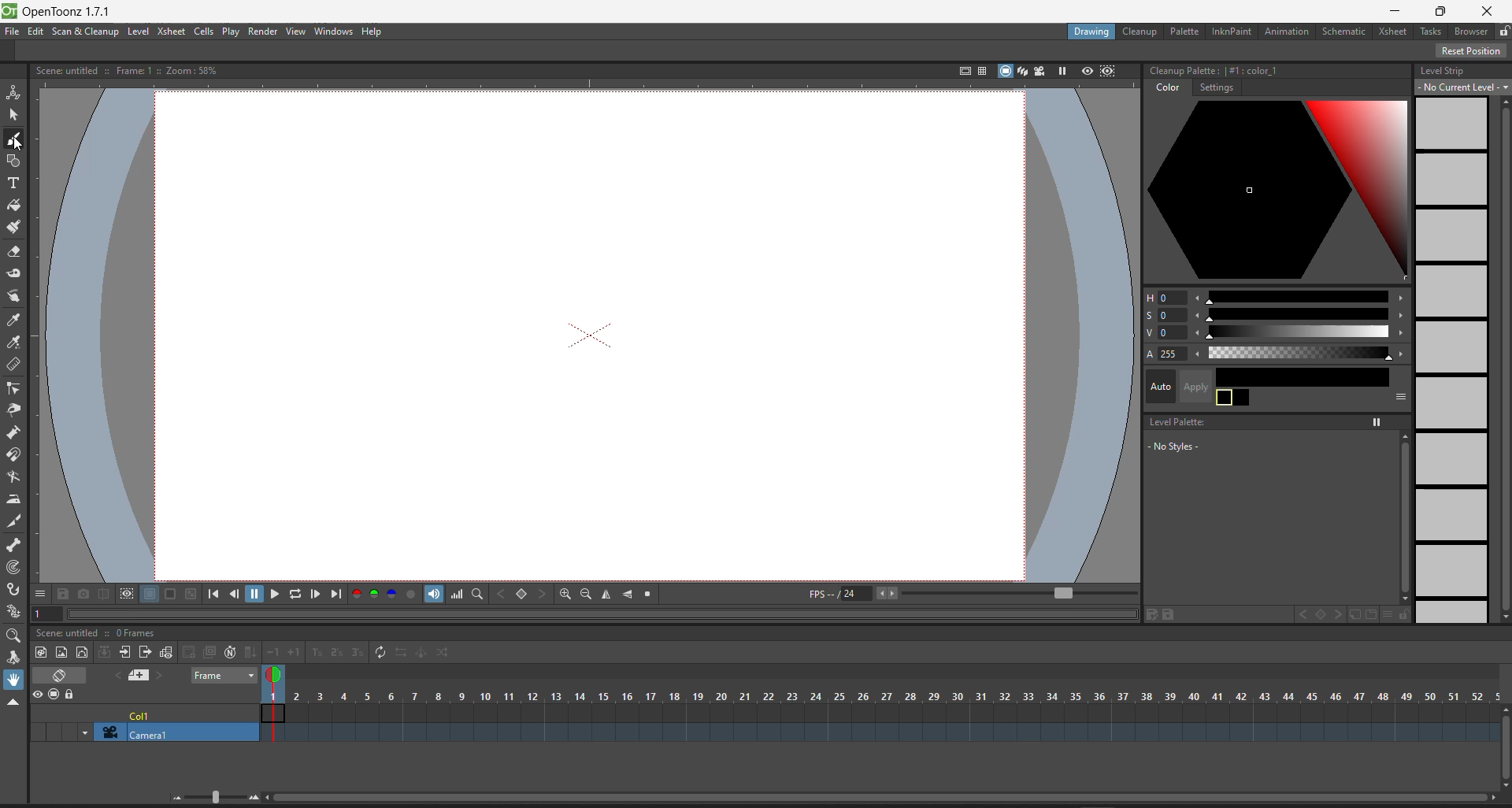 This screenshot has width=1512, height=808. Describe the element at coordinates (18, 183) in the screenshot. I see `type tool` at that location.